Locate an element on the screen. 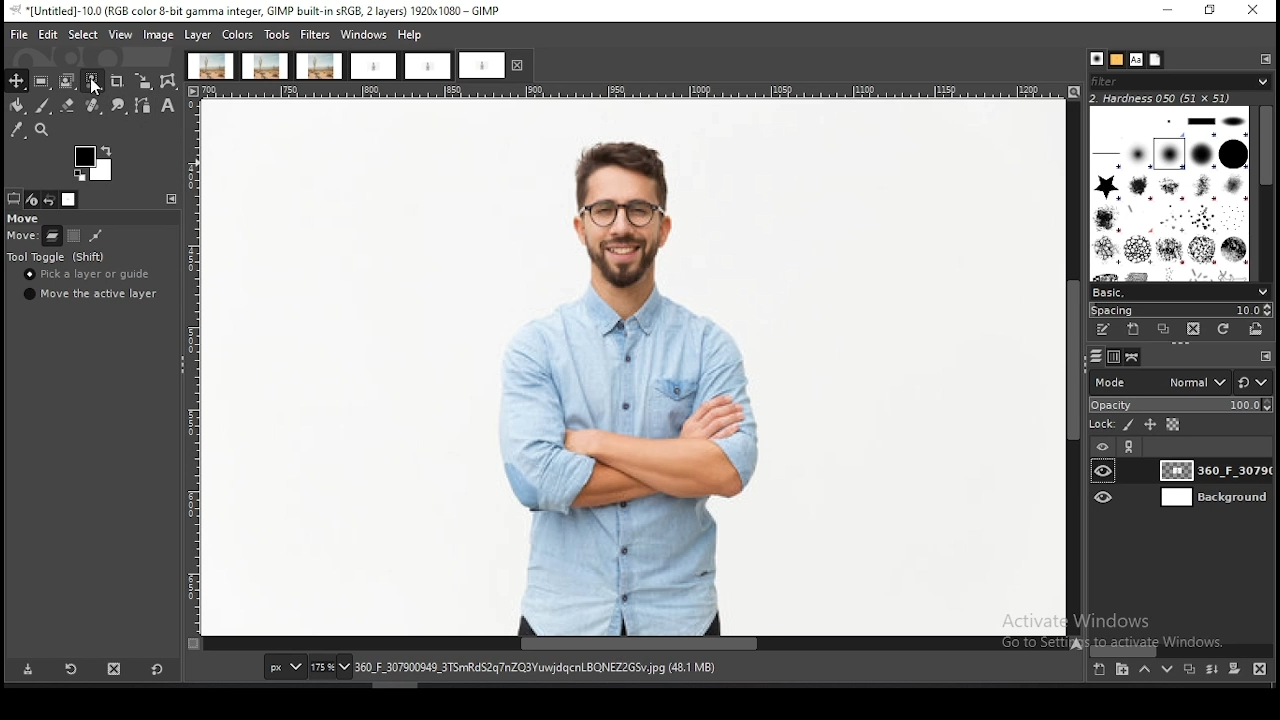 Image resolution: width=1280 pixels, height=720 pixels. move channel is located at coordinates (74, 237).